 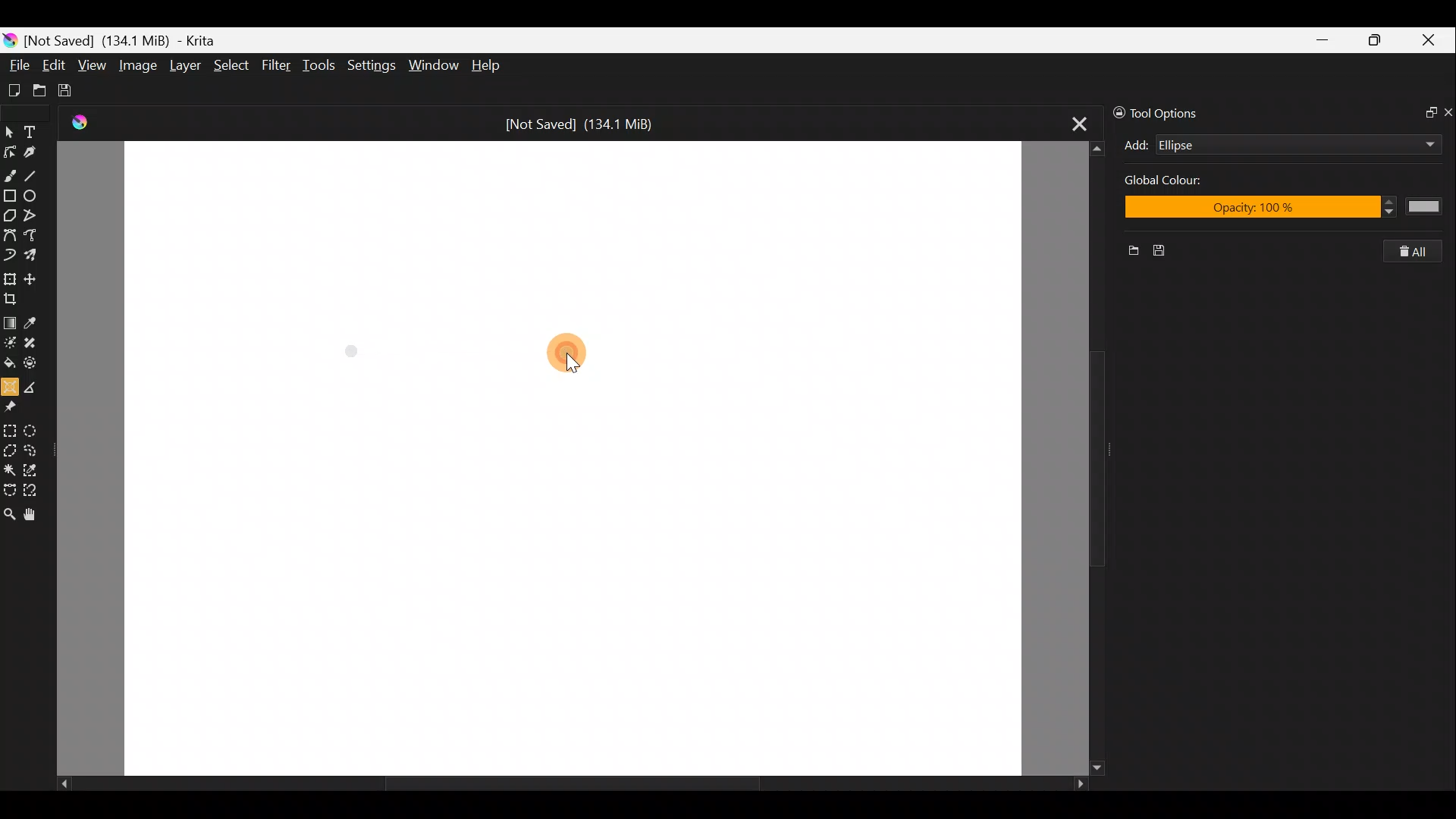 I want to click on Close docker, so click(x=1447, y=111).